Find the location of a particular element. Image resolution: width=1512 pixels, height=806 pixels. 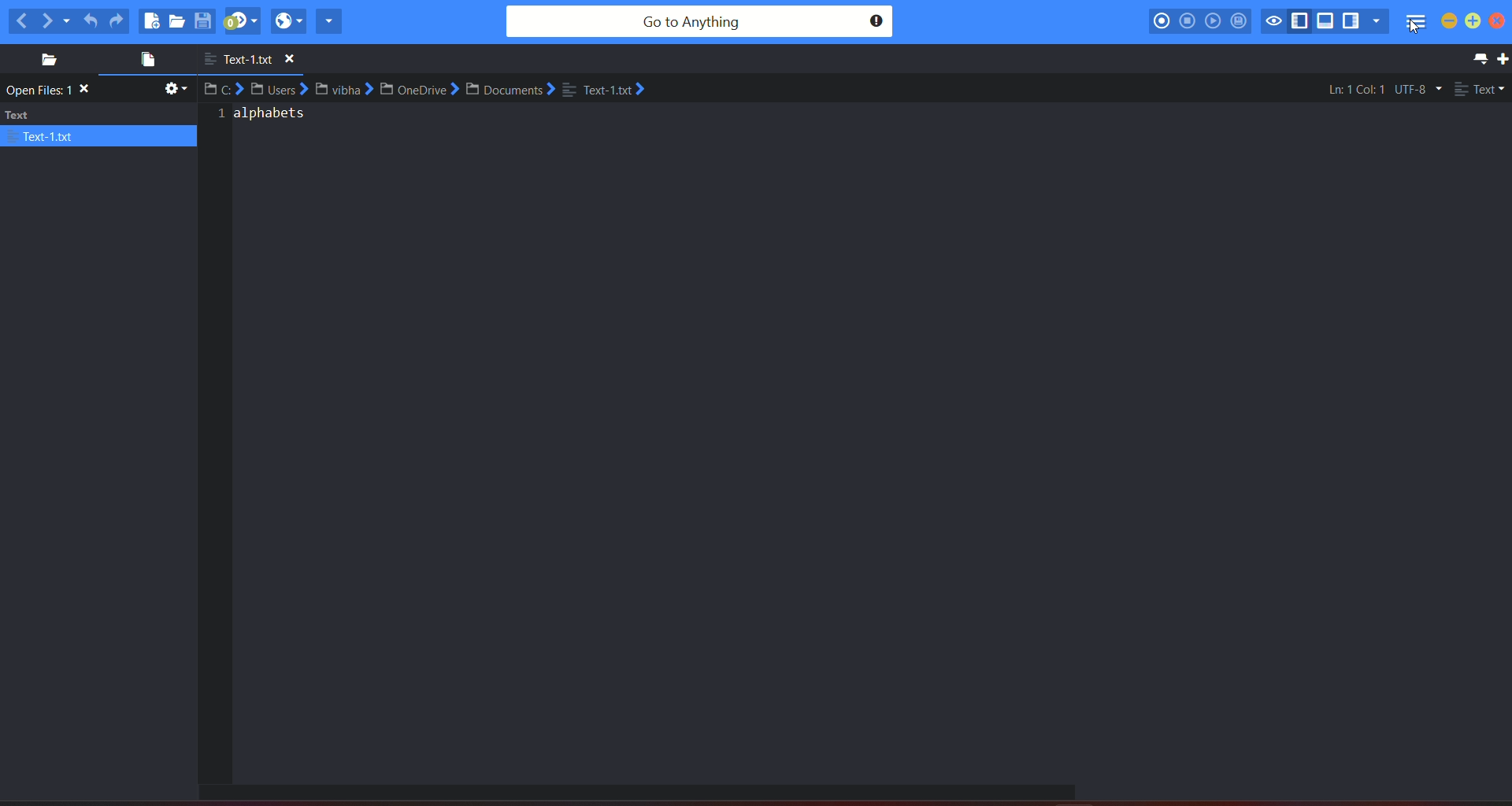

C:>Users?Vibha>OneDrive>Documents>Text-1.txt is located at coordinates (437, 91).